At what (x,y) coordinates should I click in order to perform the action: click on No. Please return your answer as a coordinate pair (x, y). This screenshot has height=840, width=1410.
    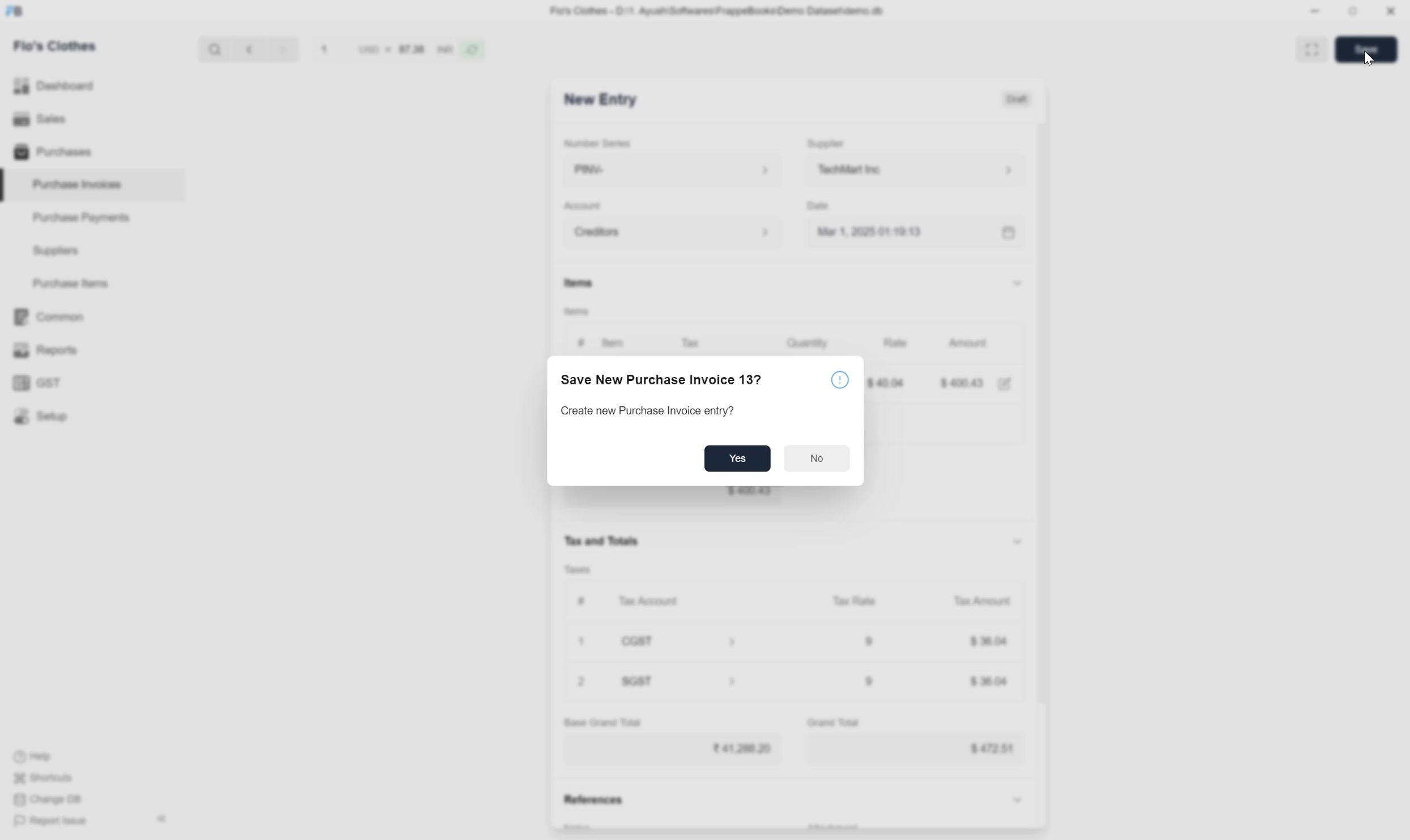
    Looking at the image, I should click on (818, 460).